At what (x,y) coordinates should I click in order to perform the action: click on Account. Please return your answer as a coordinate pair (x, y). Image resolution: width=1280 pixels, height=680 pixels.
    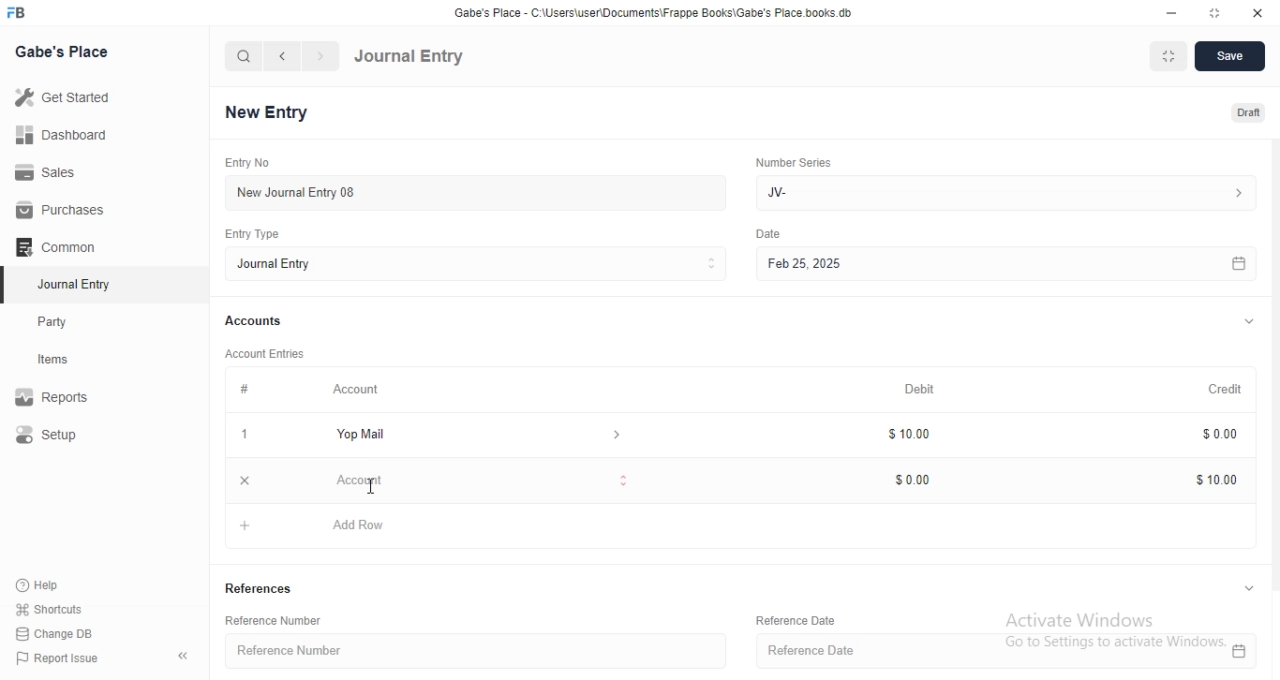
    Looking at the image, I should click on (475, 484).